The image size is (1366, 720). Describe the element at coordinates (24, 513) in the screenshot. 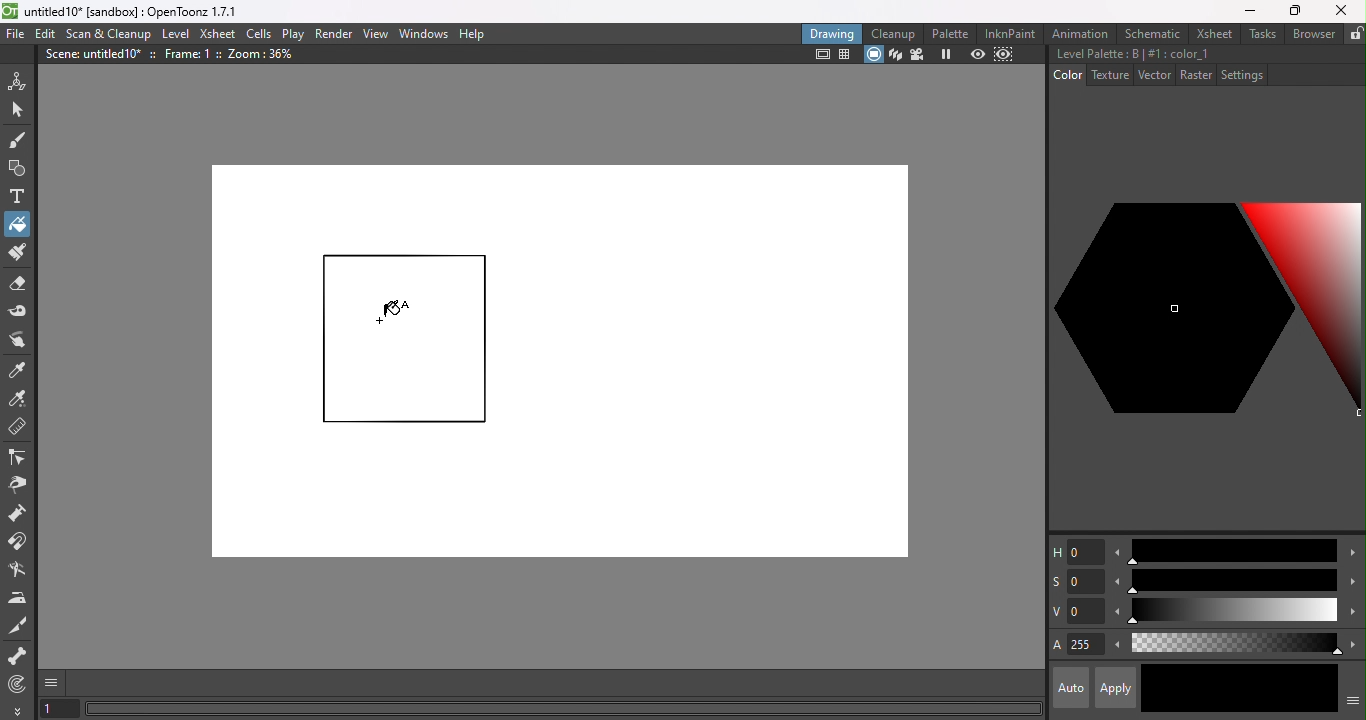

I see `Pump tool` at that location.